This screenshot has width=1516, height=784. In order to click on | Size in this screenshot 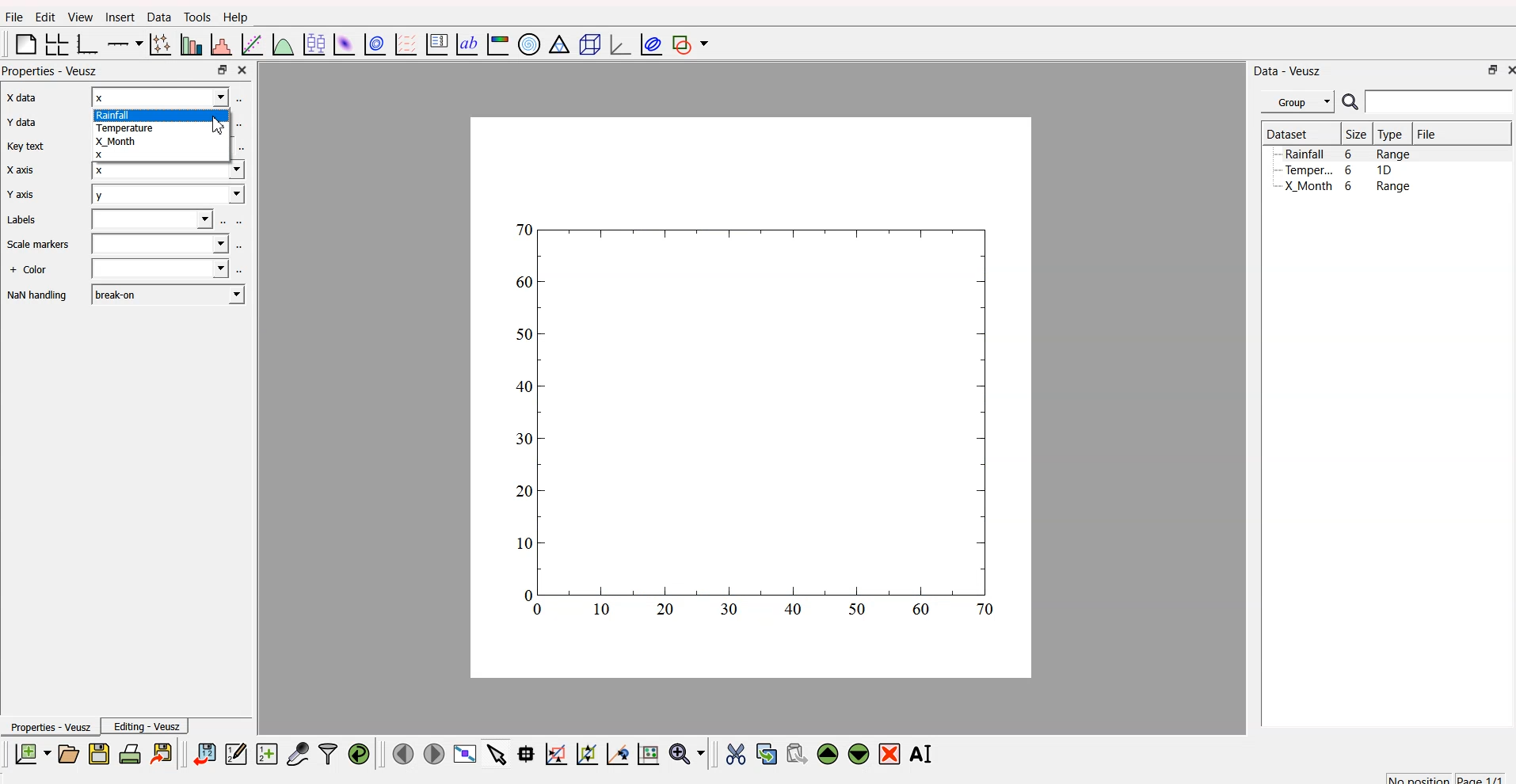, I will do `click(1354, 135)`.